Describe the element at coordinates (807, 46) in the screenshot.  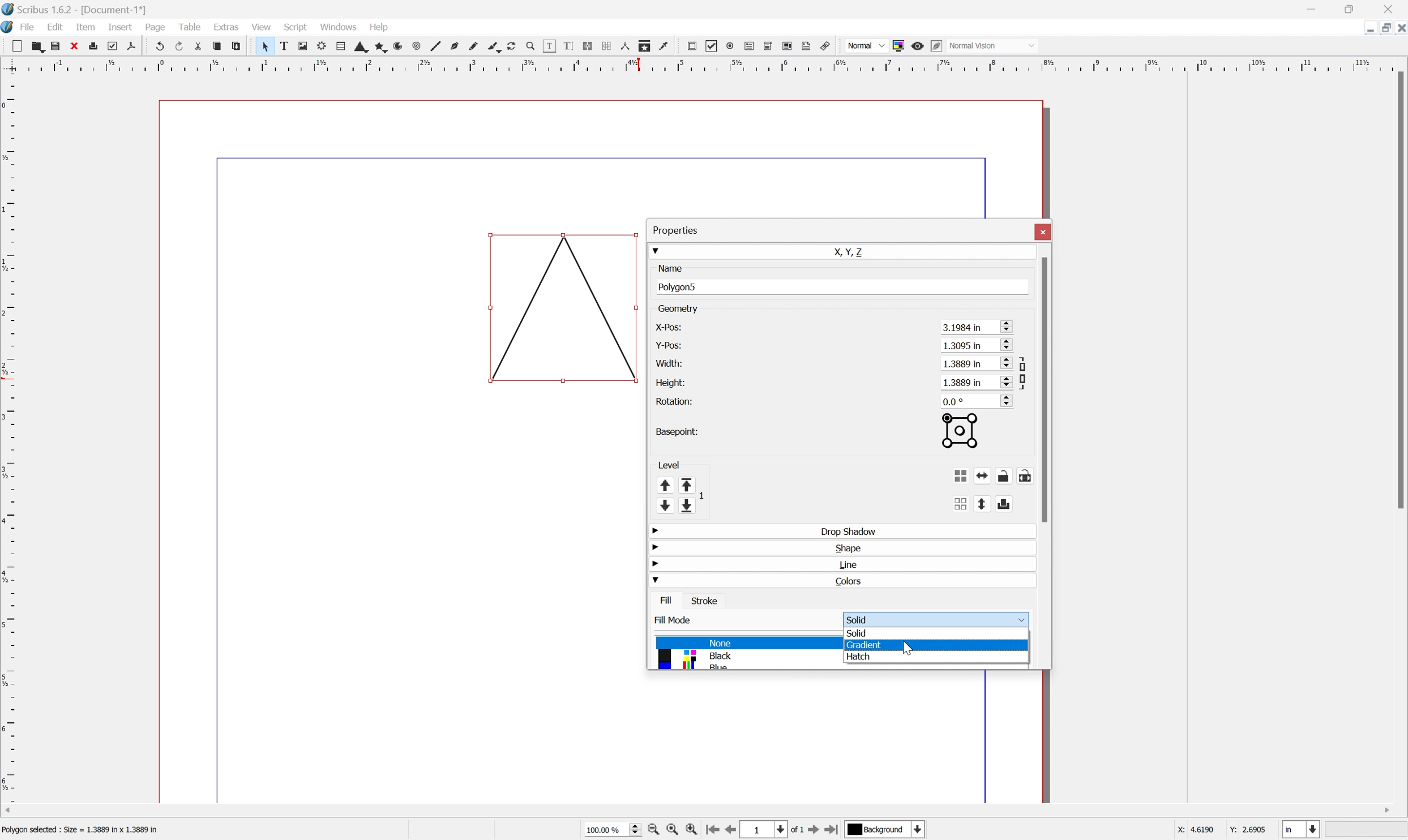
I see `Text annotation` at that location.